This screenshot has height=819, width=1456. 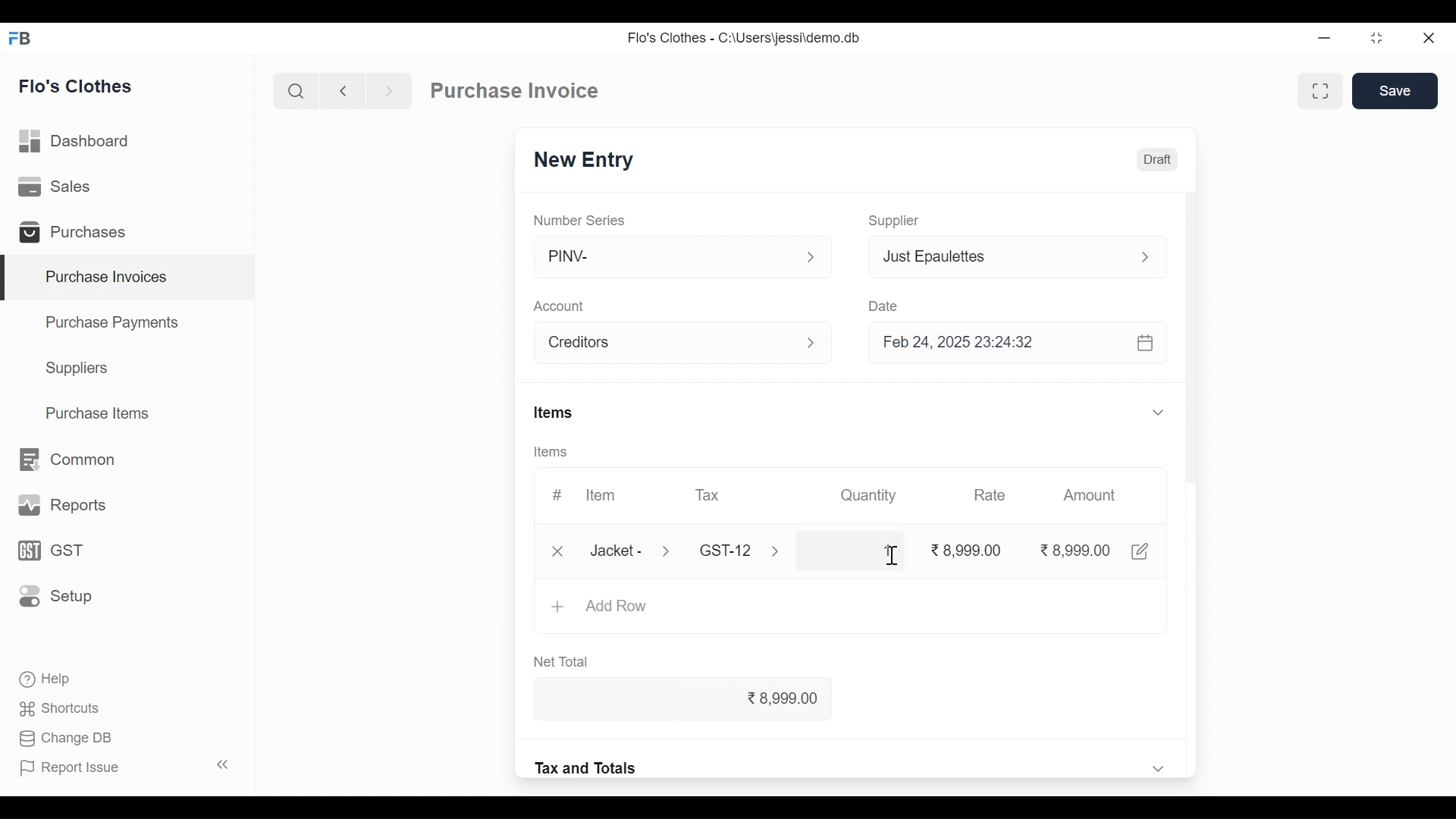 I want to click on Help, so click(x=50, y=679).